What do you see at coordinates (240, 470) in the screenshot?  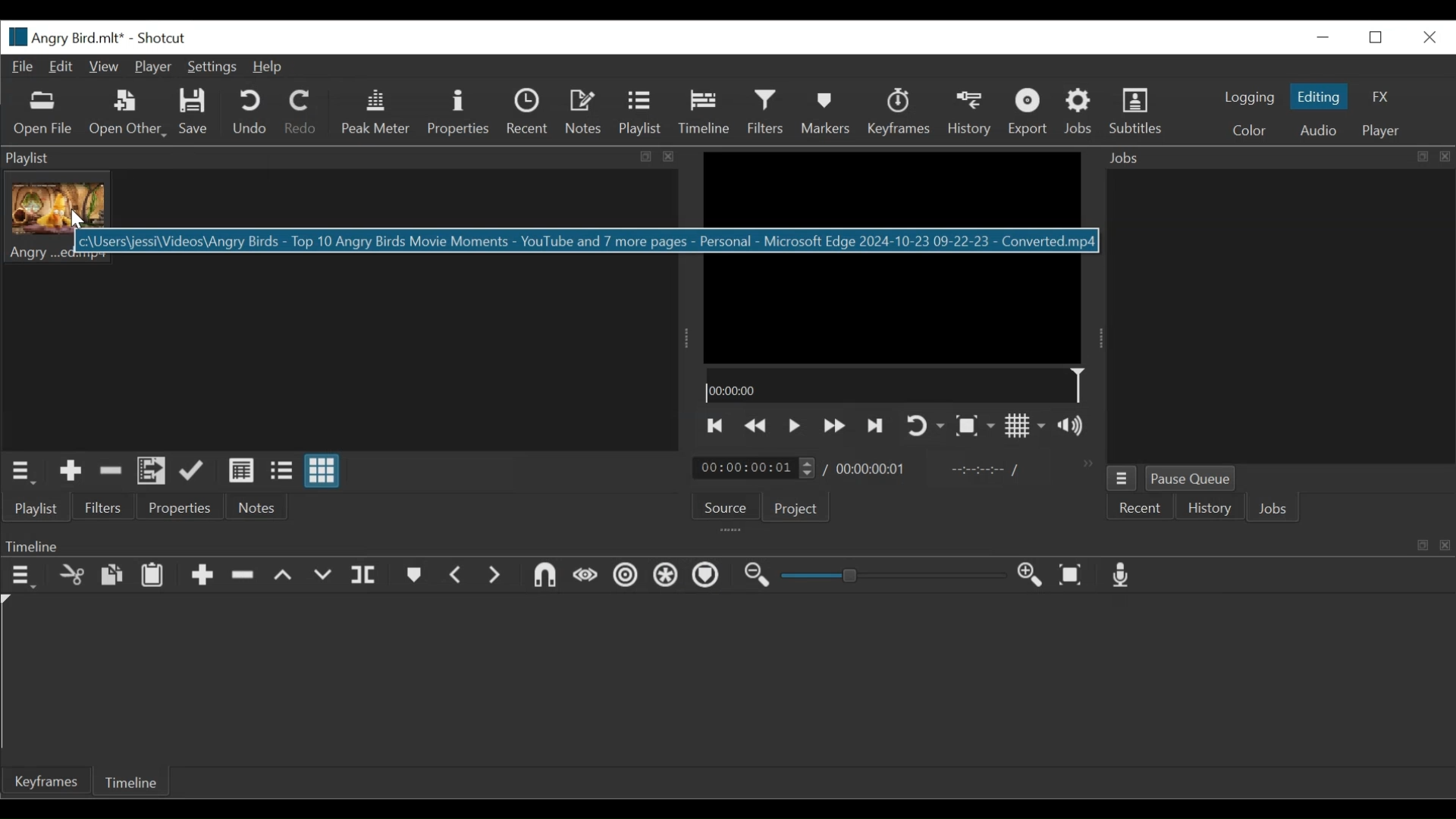 I see `View as Detail` at bounding box center [240, 470].